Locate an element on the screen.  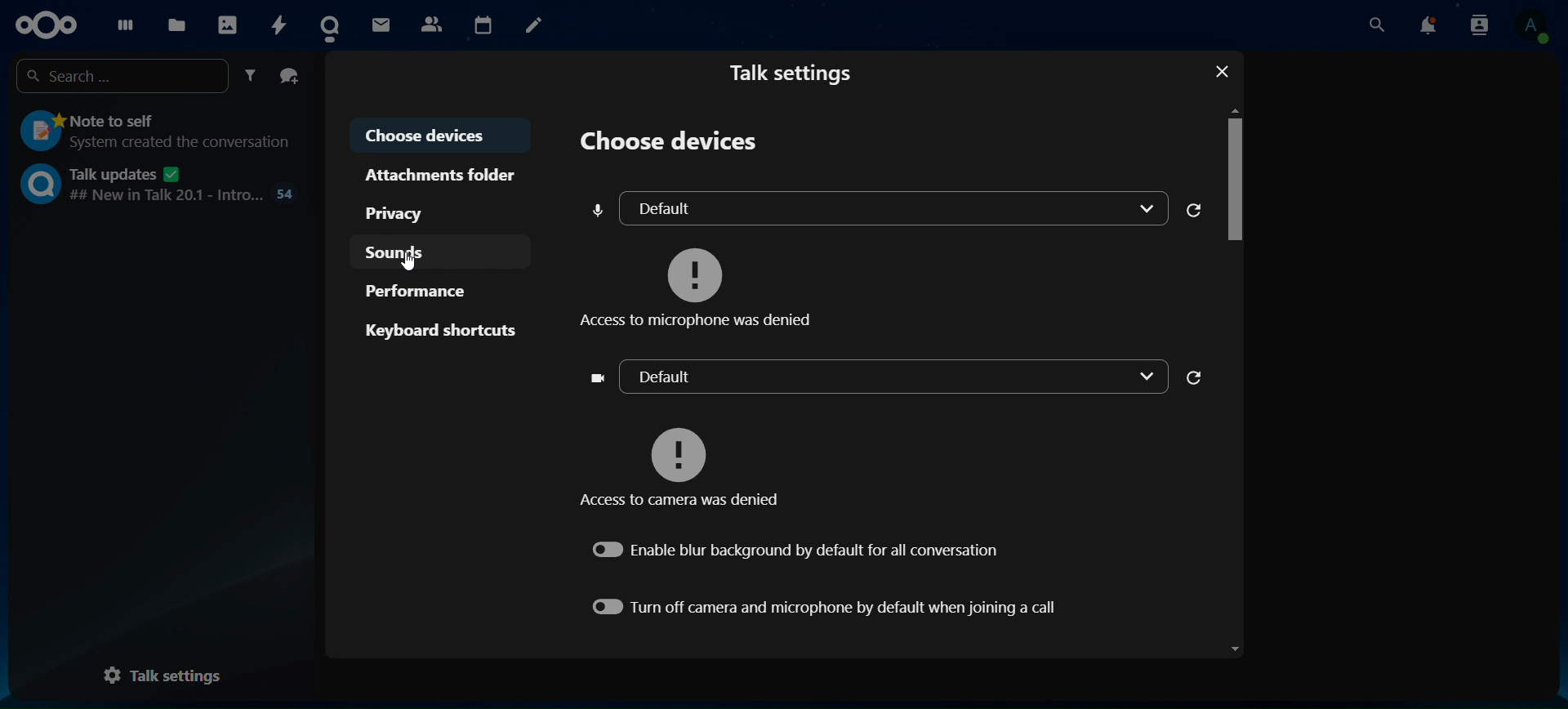
refresh is located at coordinates (1197, 212).